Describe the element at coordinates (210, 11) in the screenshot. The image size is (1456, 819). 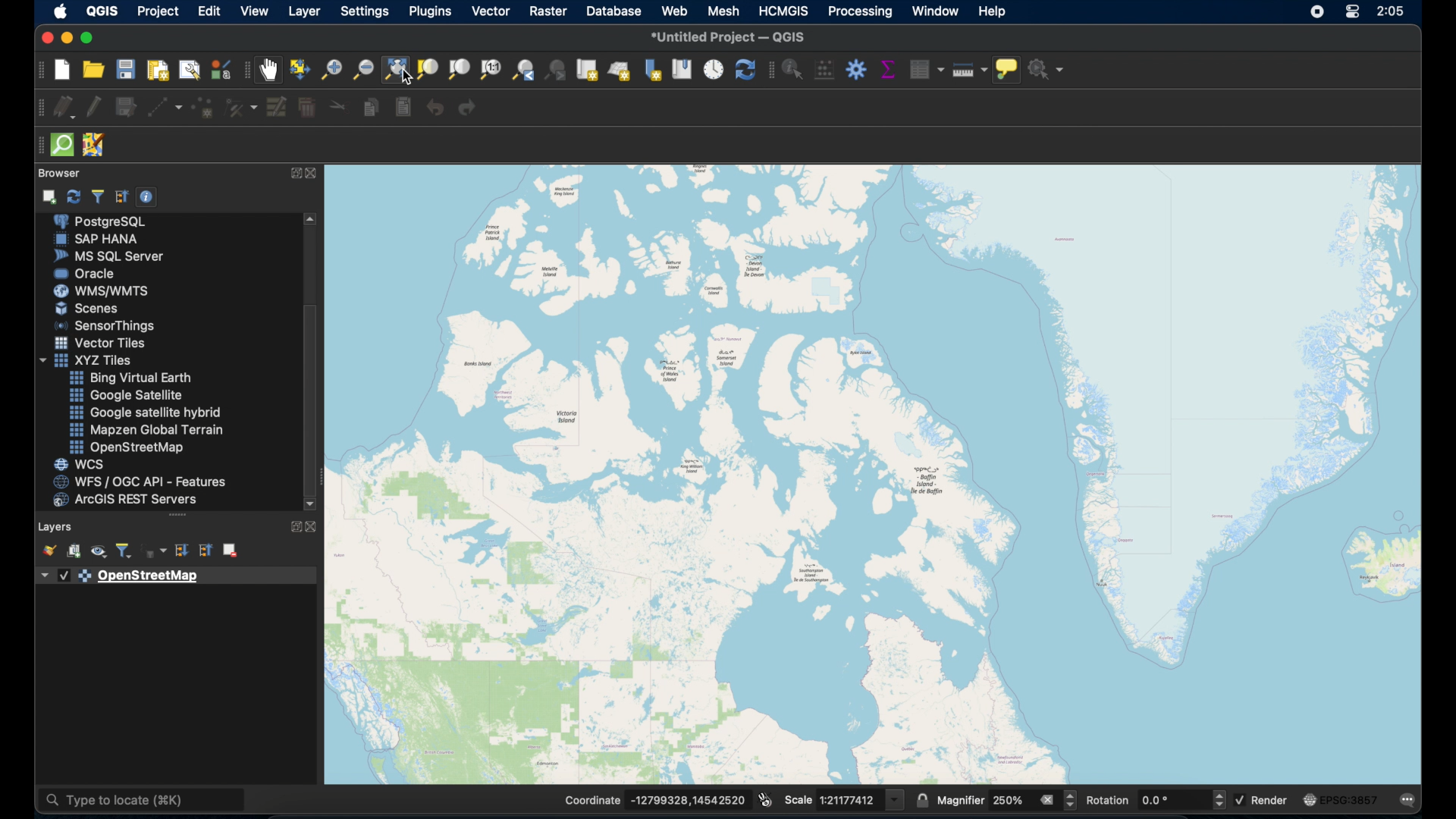
I see `edit` at that location.